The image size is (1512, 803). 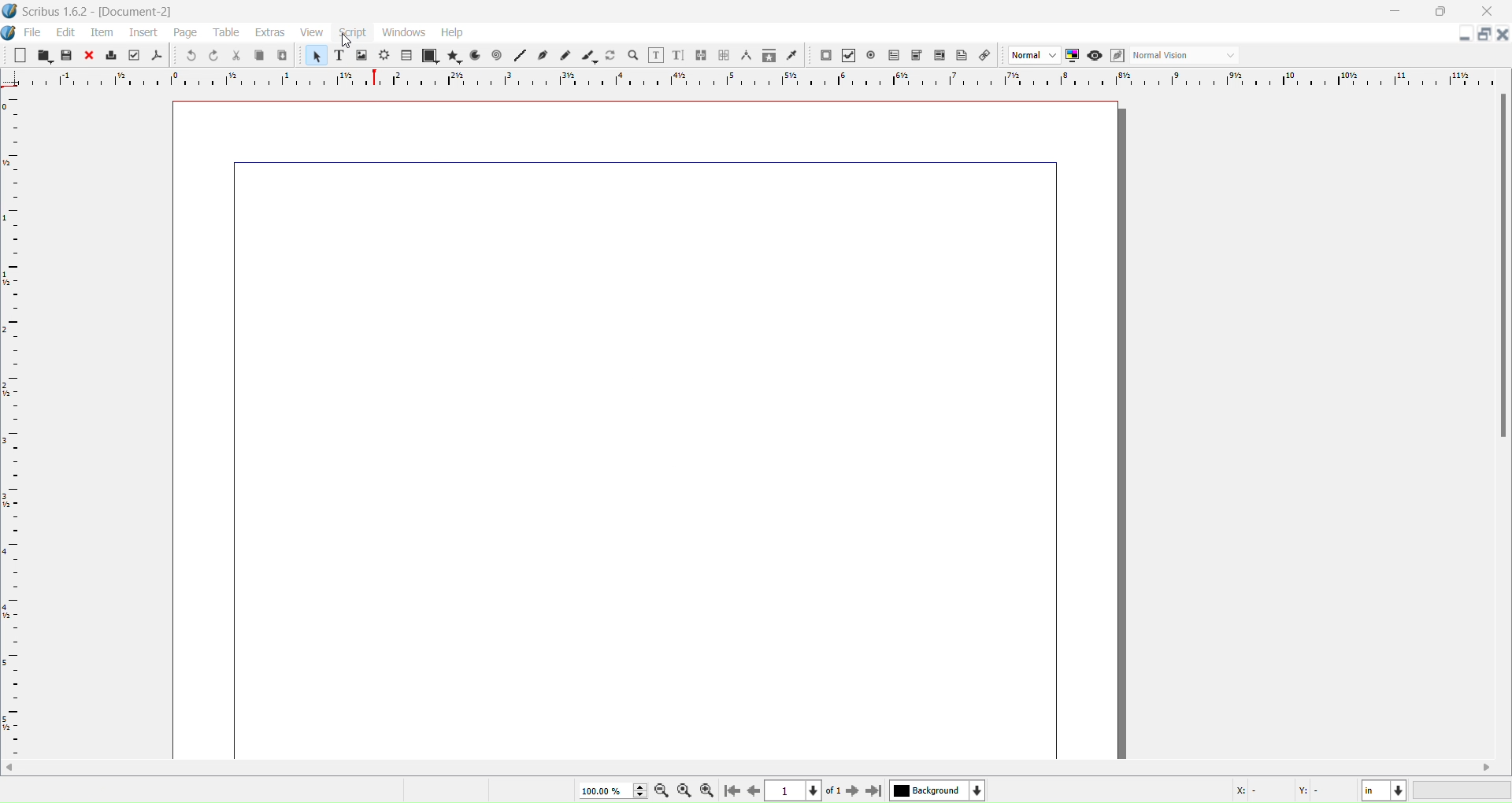 What do you see at coordinates (917, 56) in the screenshot?
I see `PDF Combo Box` at bounding box center [917, 56].